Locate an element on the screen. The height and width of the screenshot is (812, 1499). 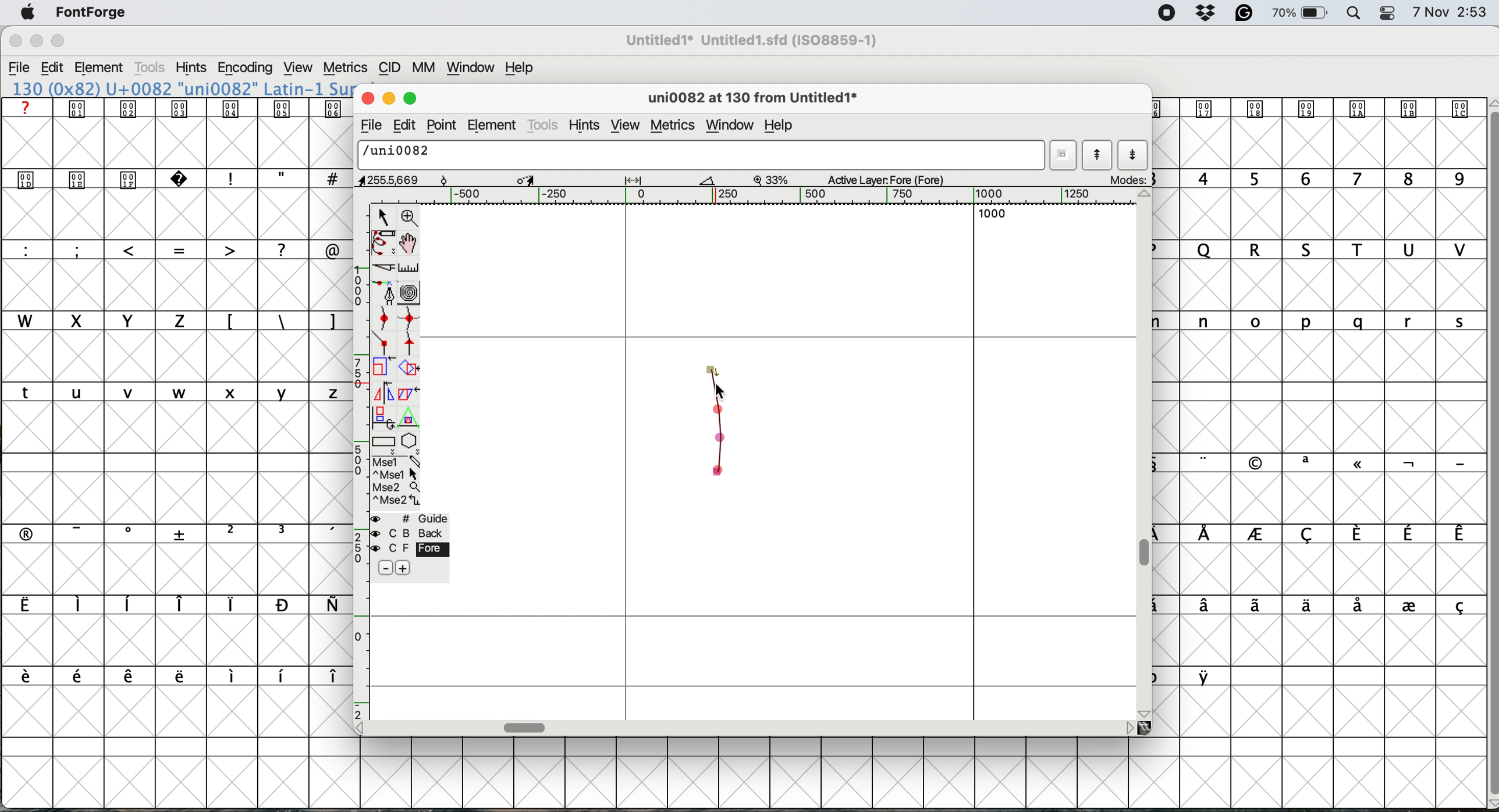
maximise is located at coordinates (57, 40).